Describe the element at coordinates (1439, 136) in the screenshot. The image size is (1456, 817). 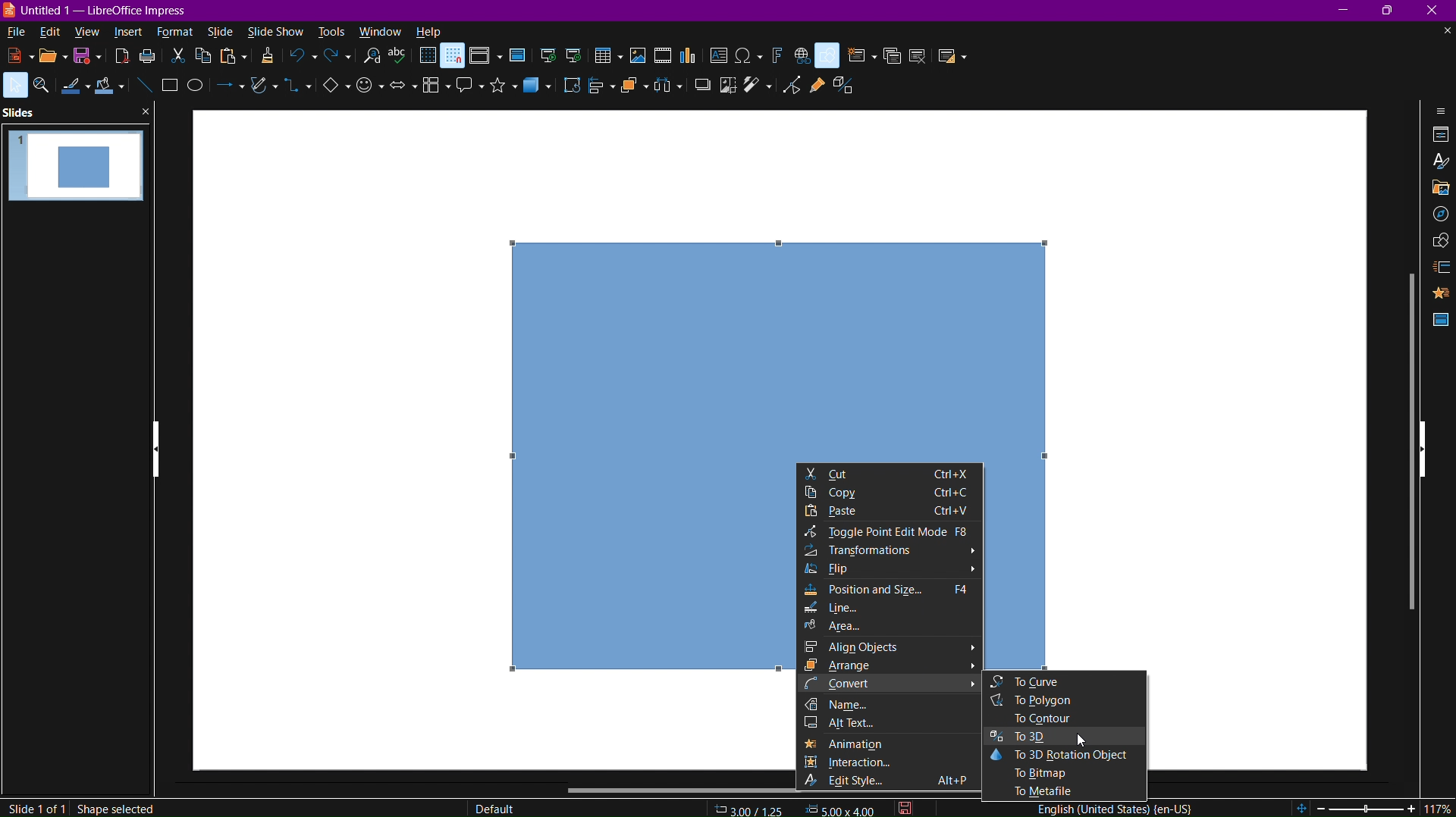
I see `Properties` at that location.